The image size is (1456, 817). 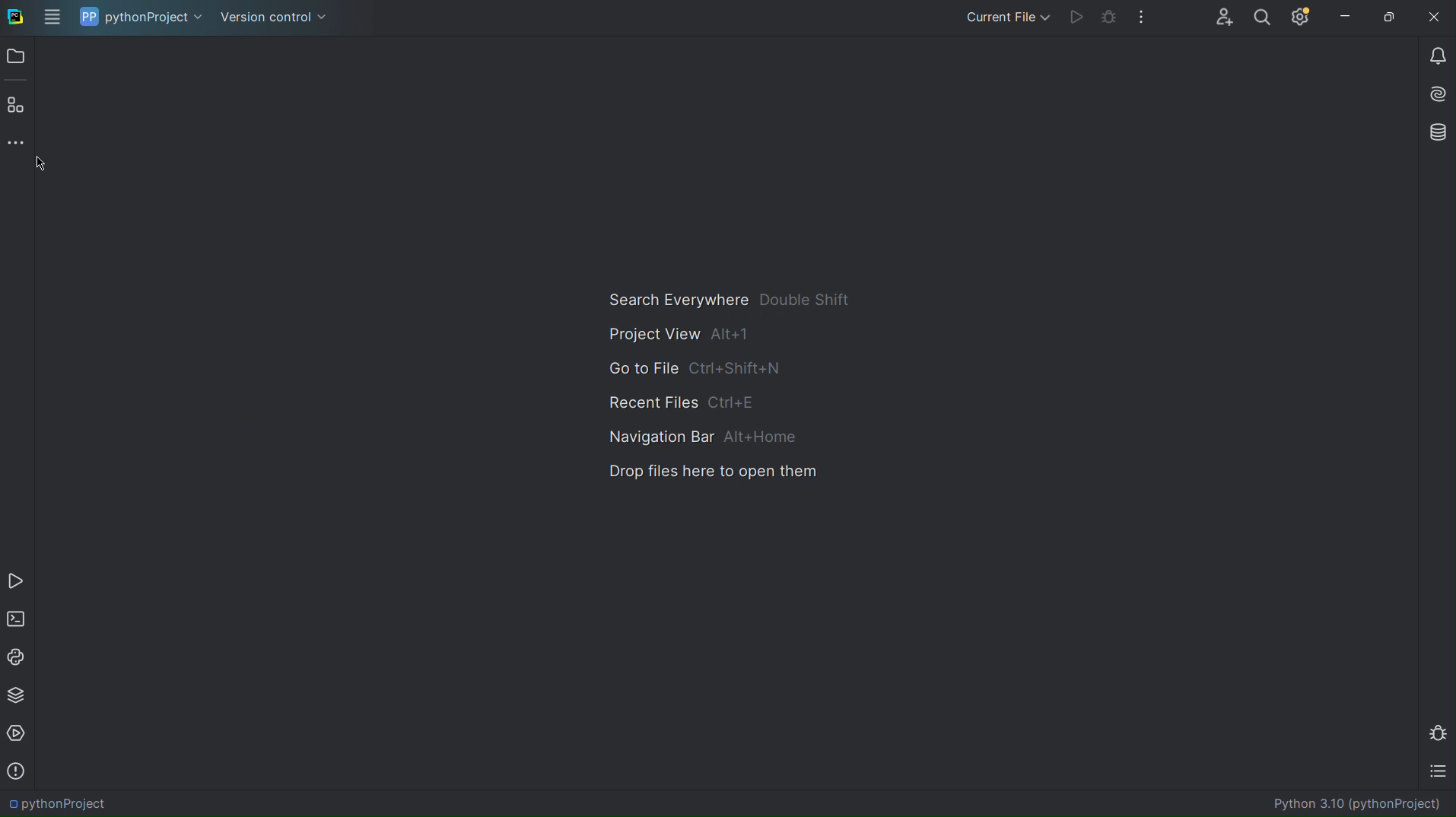 I want to click on AI Assistant, so click(x=1435, y=94).